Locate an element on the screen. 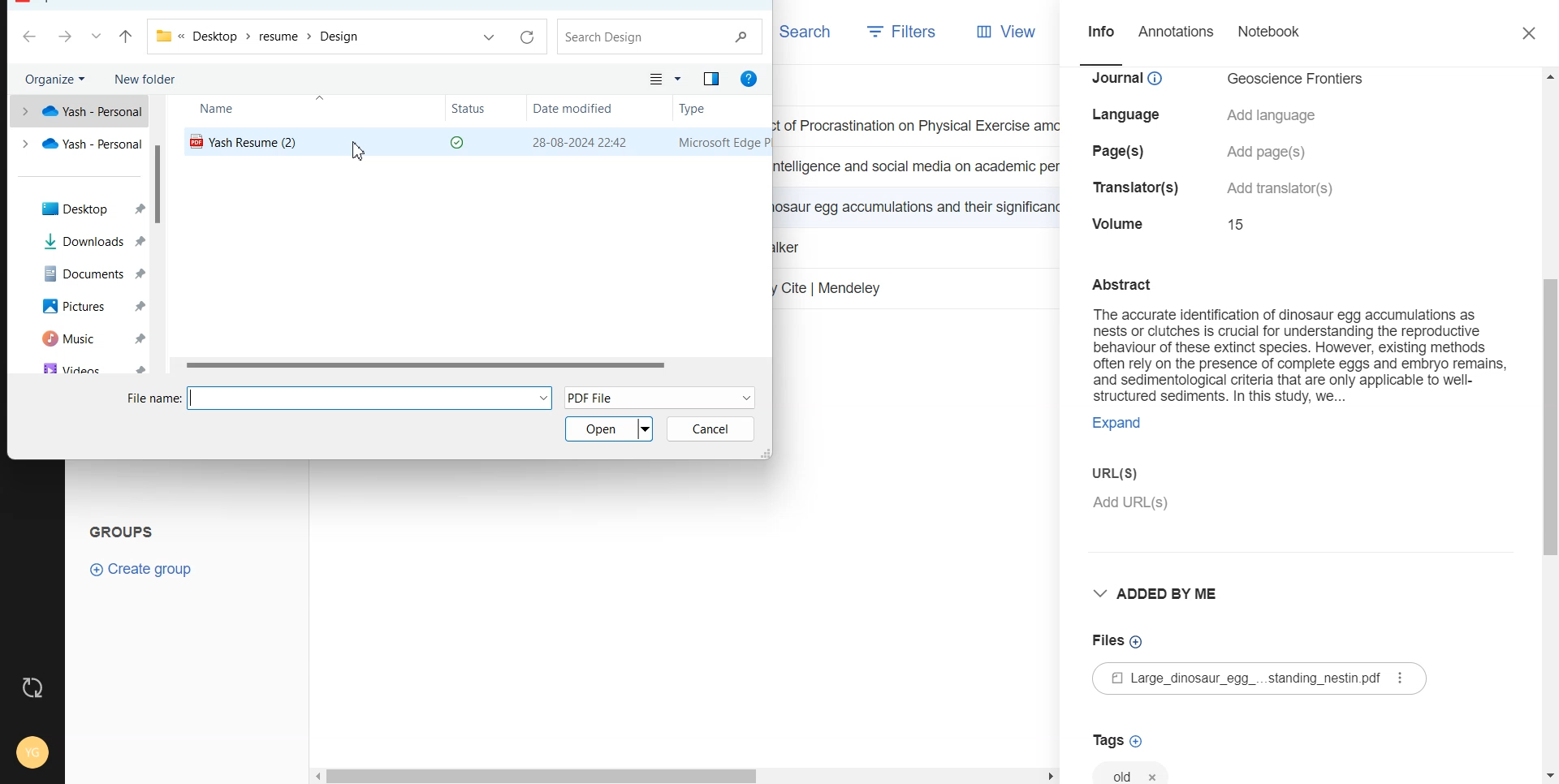 The width and height of the screenshot is (1559, 784). Added by me is located at coordinates (1161, 596).